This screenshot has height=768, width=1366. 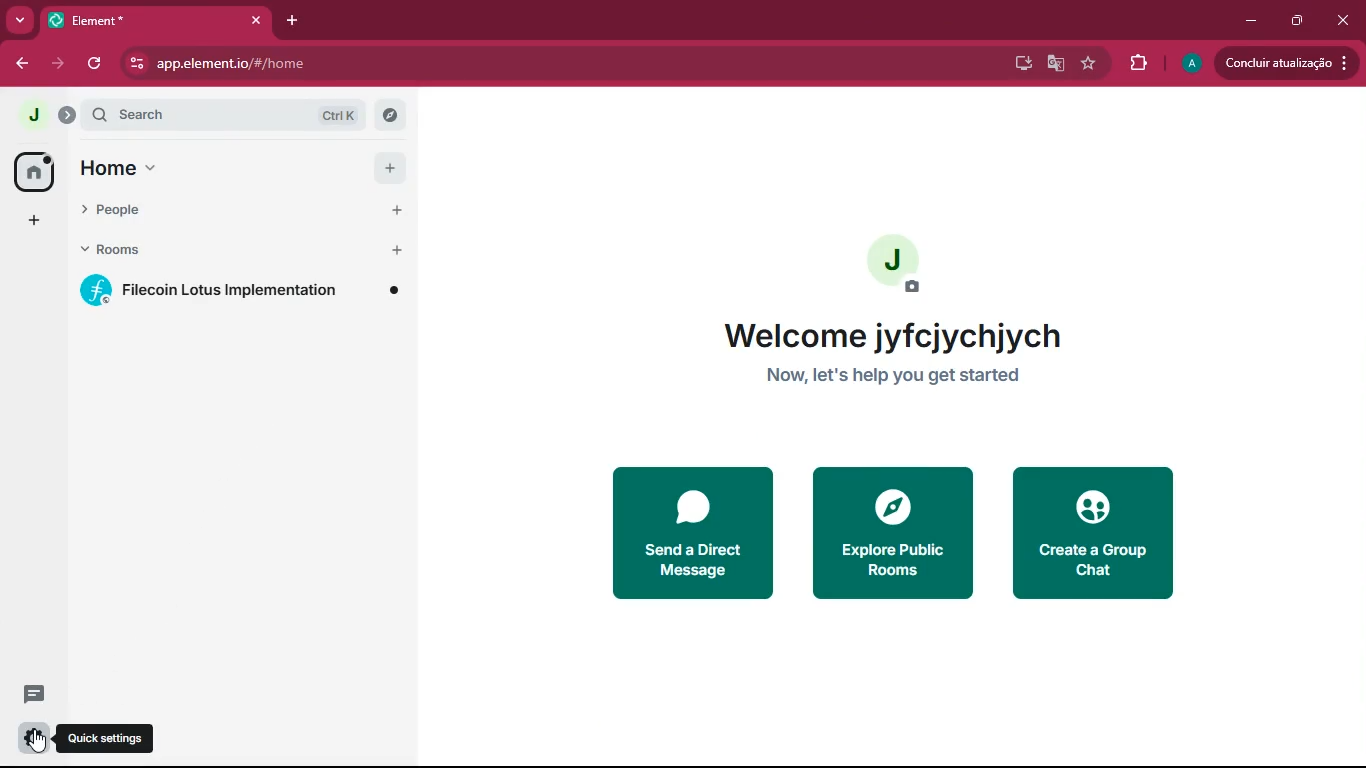 What do you see at coordinates (1286, 65) in the screenshot?
I see `update` at bounding box center [1286, 65].